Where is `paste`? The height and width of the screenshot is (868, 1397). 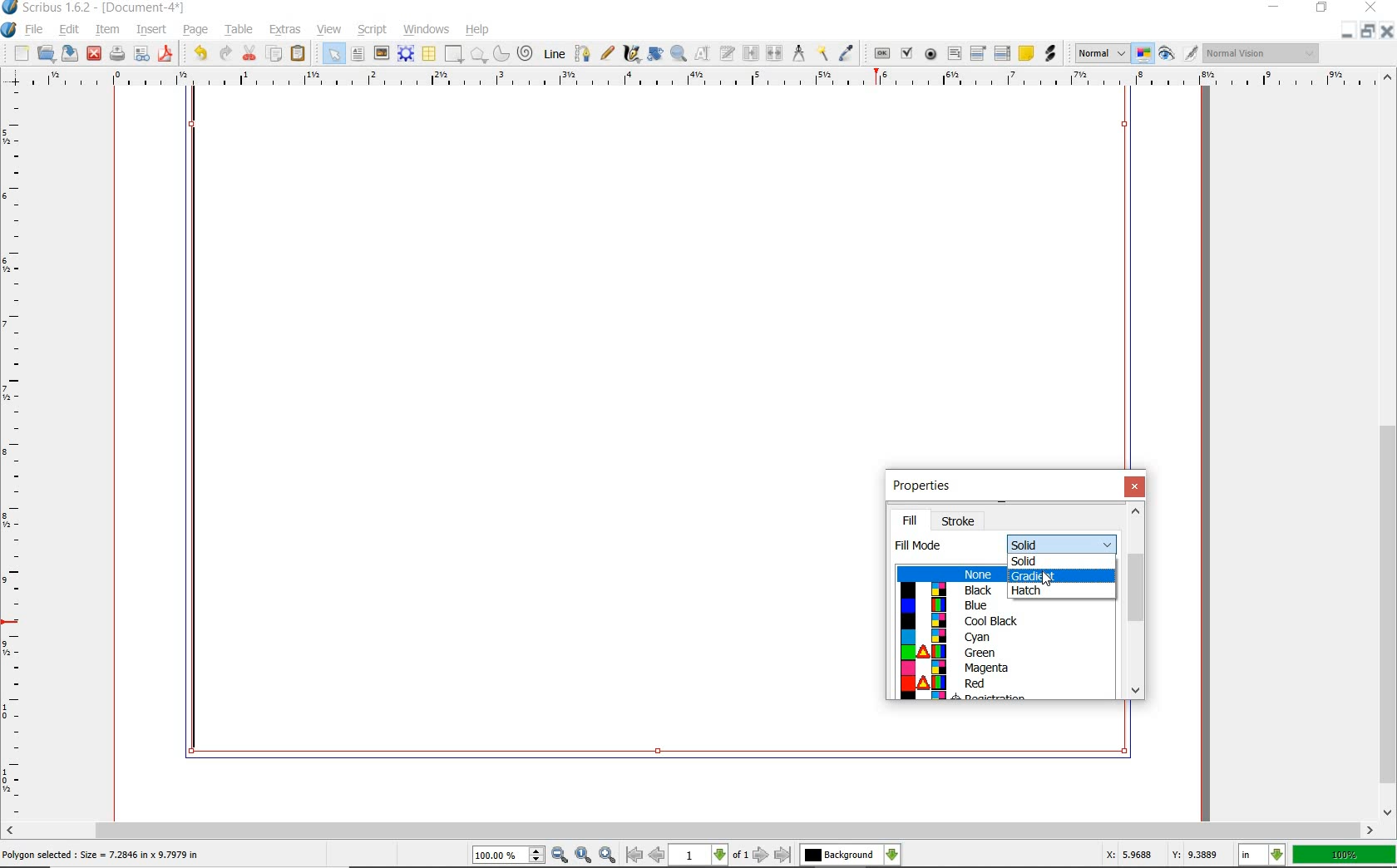 paste is located at coordinates (298, 54).